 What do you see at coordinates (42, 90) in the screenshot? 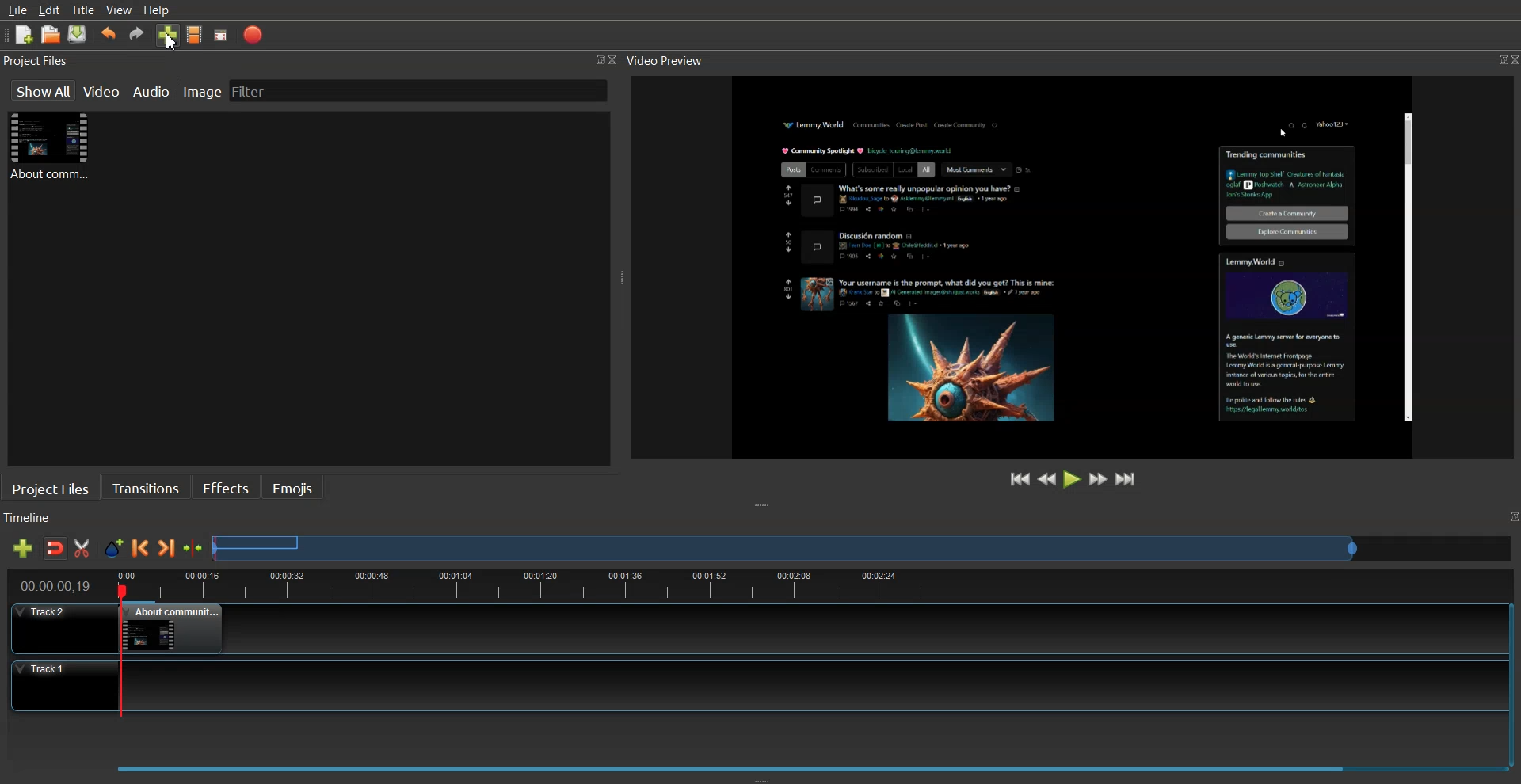
I see `Show all` at bounding box center [42, 90].